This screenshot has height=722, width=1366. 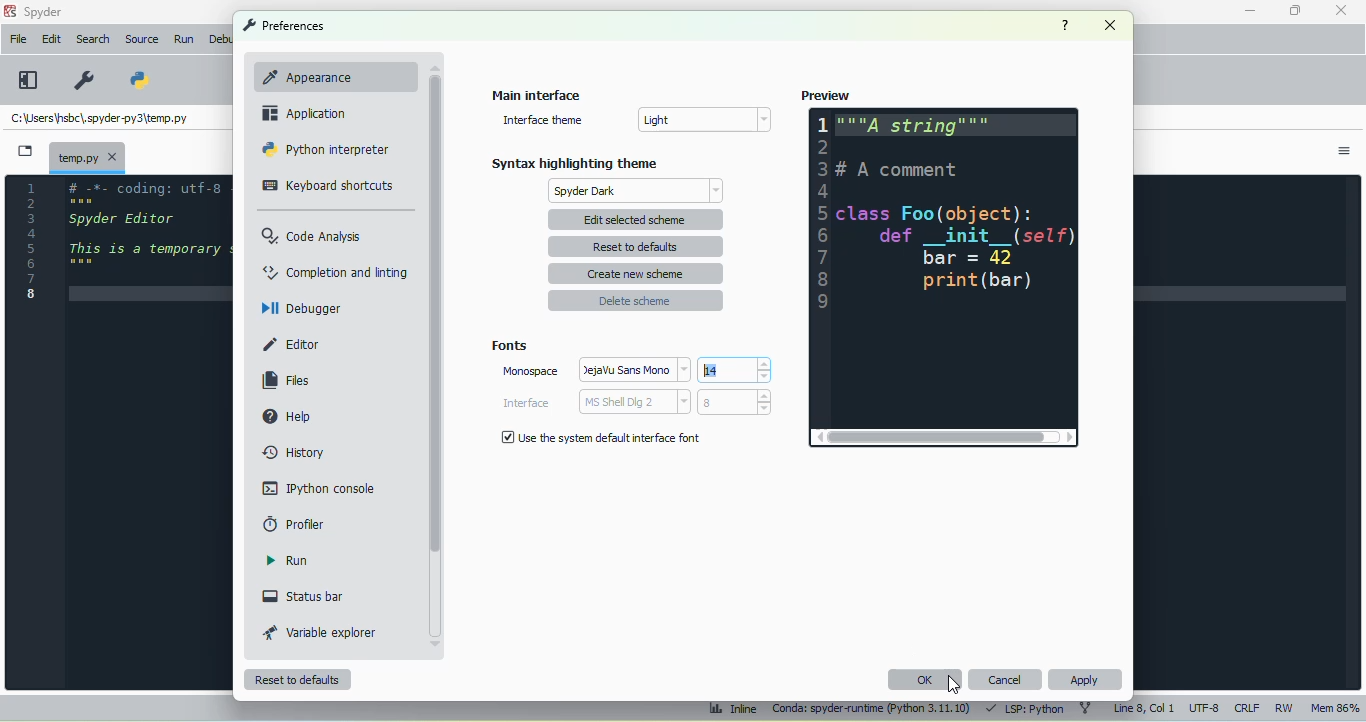 I want to click on logo, so click(x=9, y=11).